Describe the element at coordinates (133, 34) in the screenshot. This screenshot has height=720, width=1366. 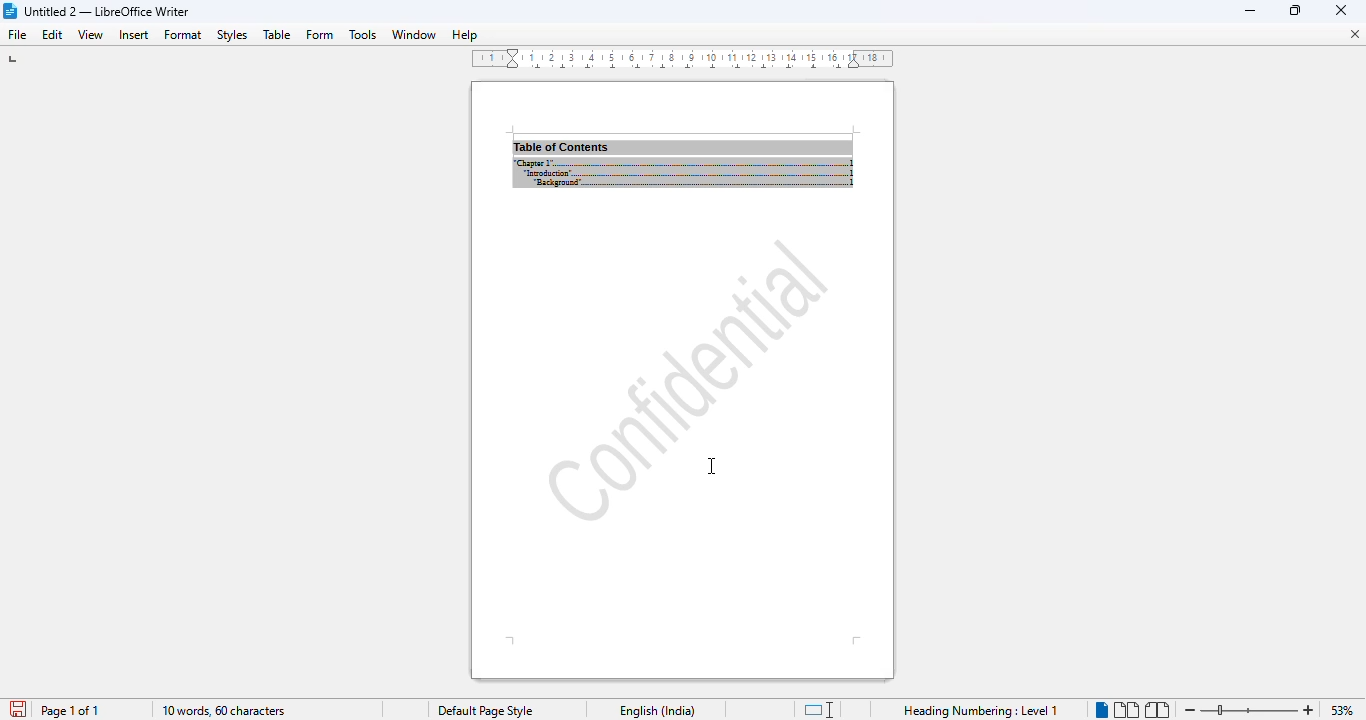
I see `insert` at that location.